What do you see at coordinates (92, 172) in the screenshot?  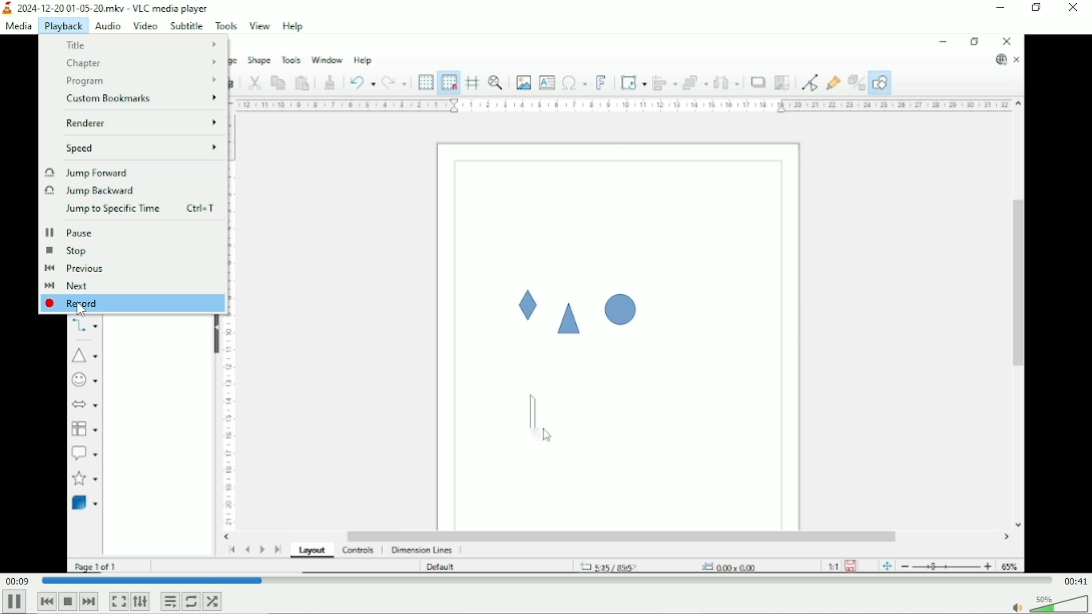 I see `Jump forward` at bounding box center [92, 172].